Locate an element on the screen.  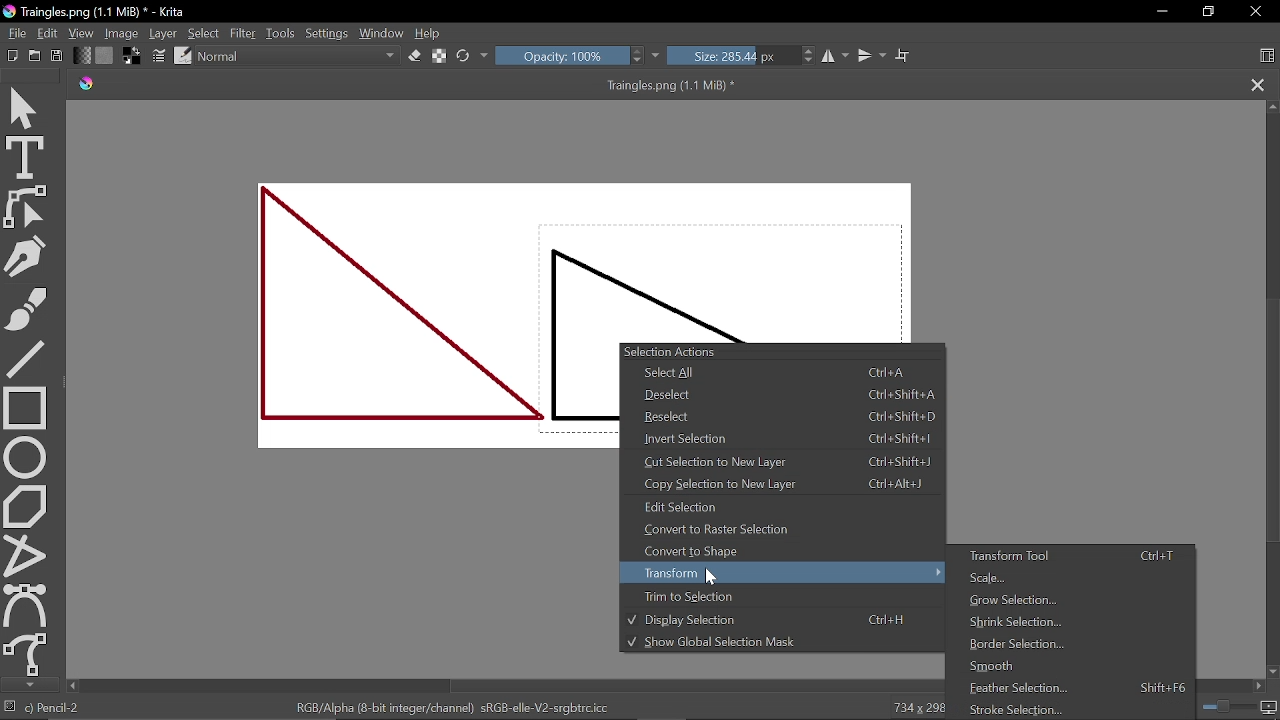
Minimize is located at coordinates (1157, 13).